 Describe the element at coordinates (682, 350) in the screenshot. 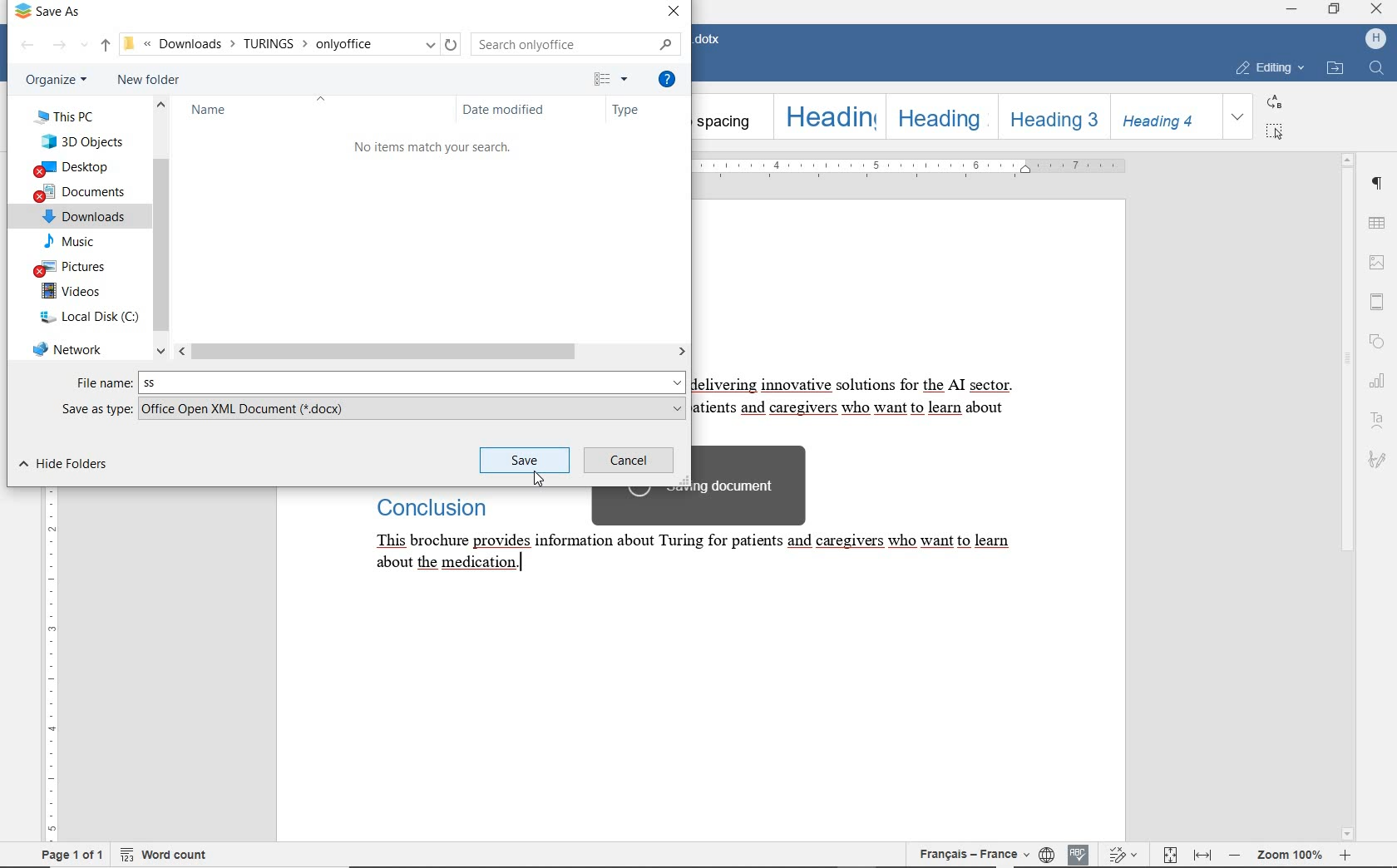

I see `scroll right` at that location.